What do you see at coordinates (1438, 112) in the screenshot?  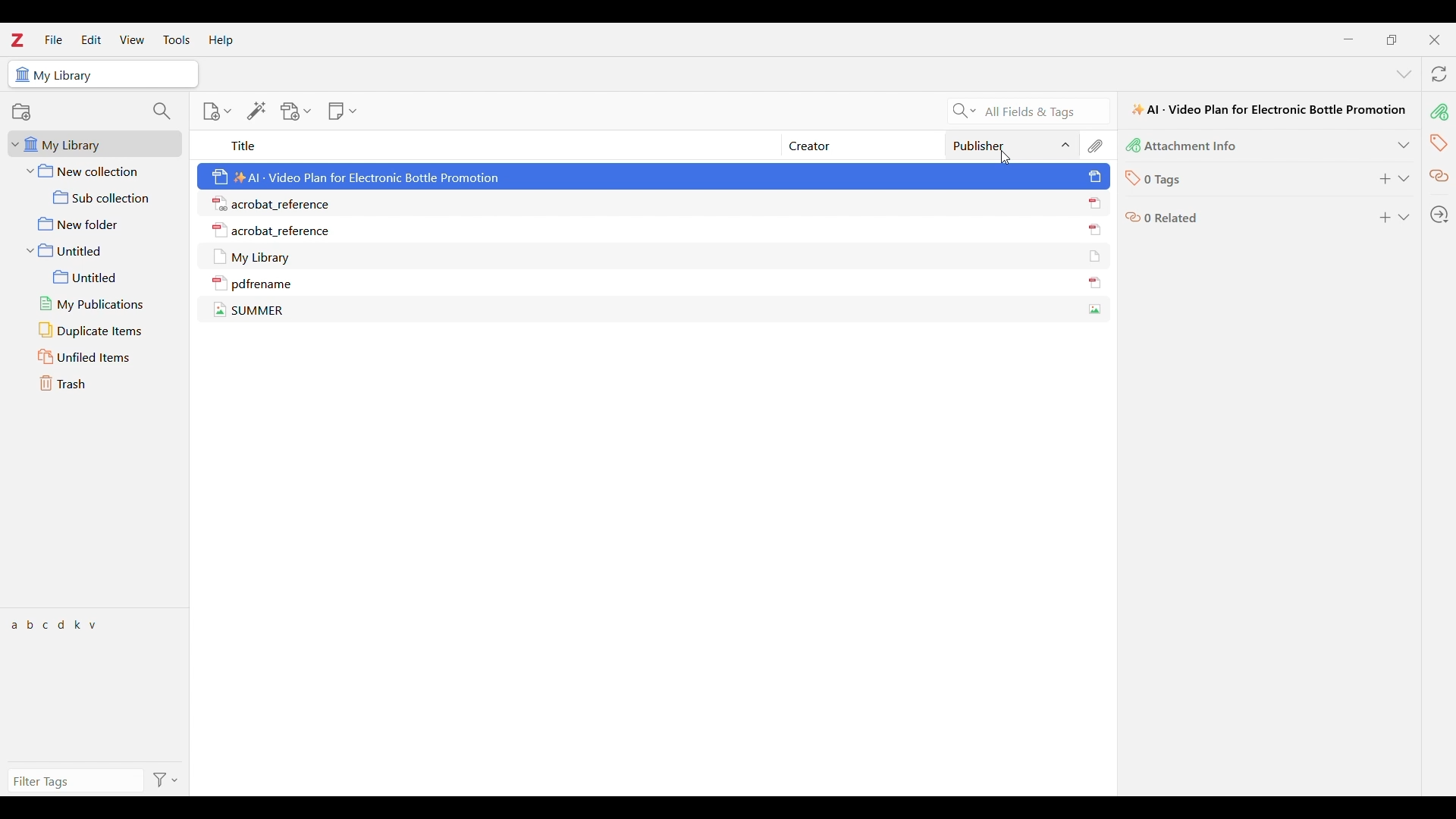 I see `Attachment info` at bounding box center [1438, 112].